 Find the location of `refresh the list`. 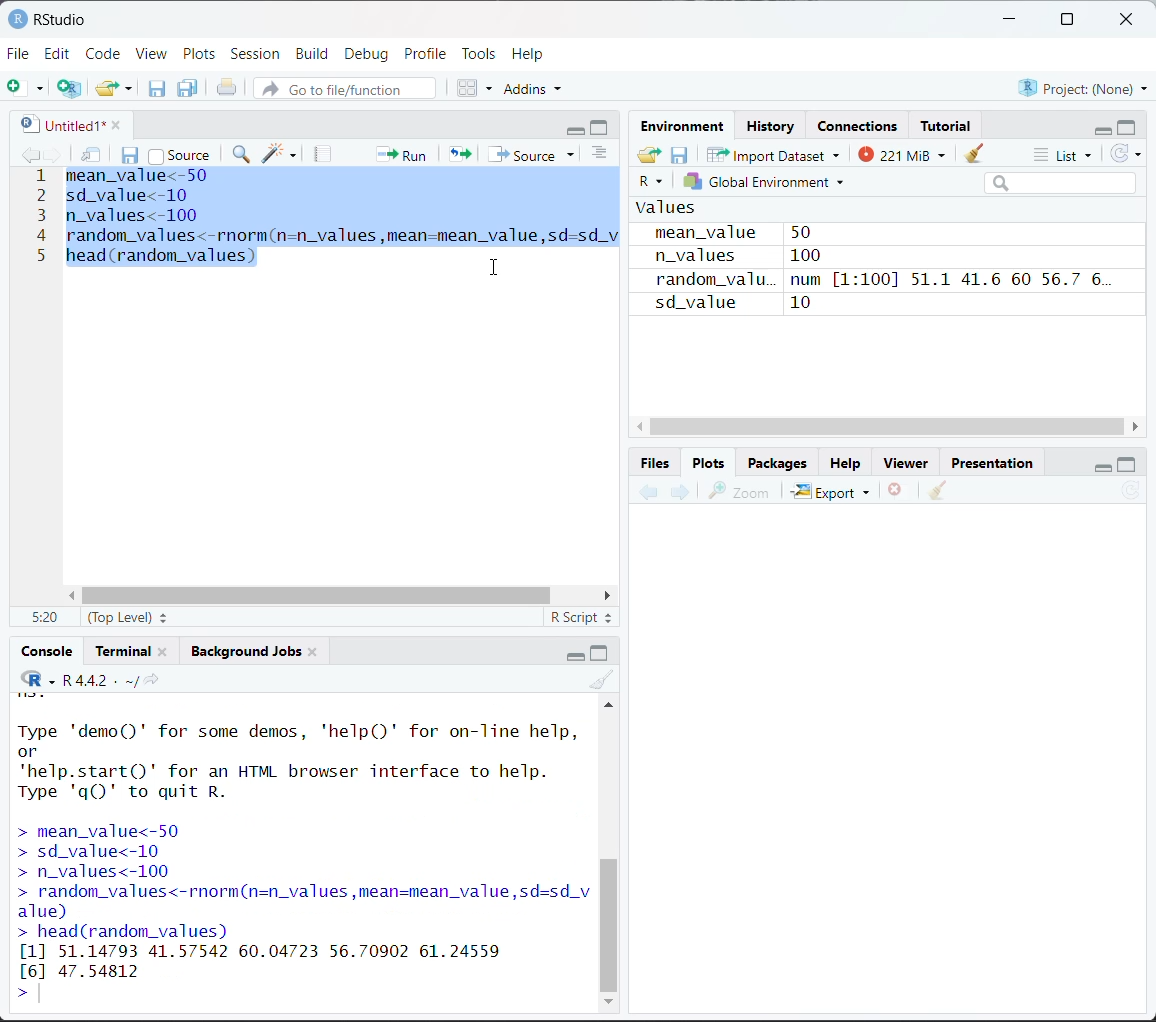

refresh the list is located at coordinates (1126, 154).